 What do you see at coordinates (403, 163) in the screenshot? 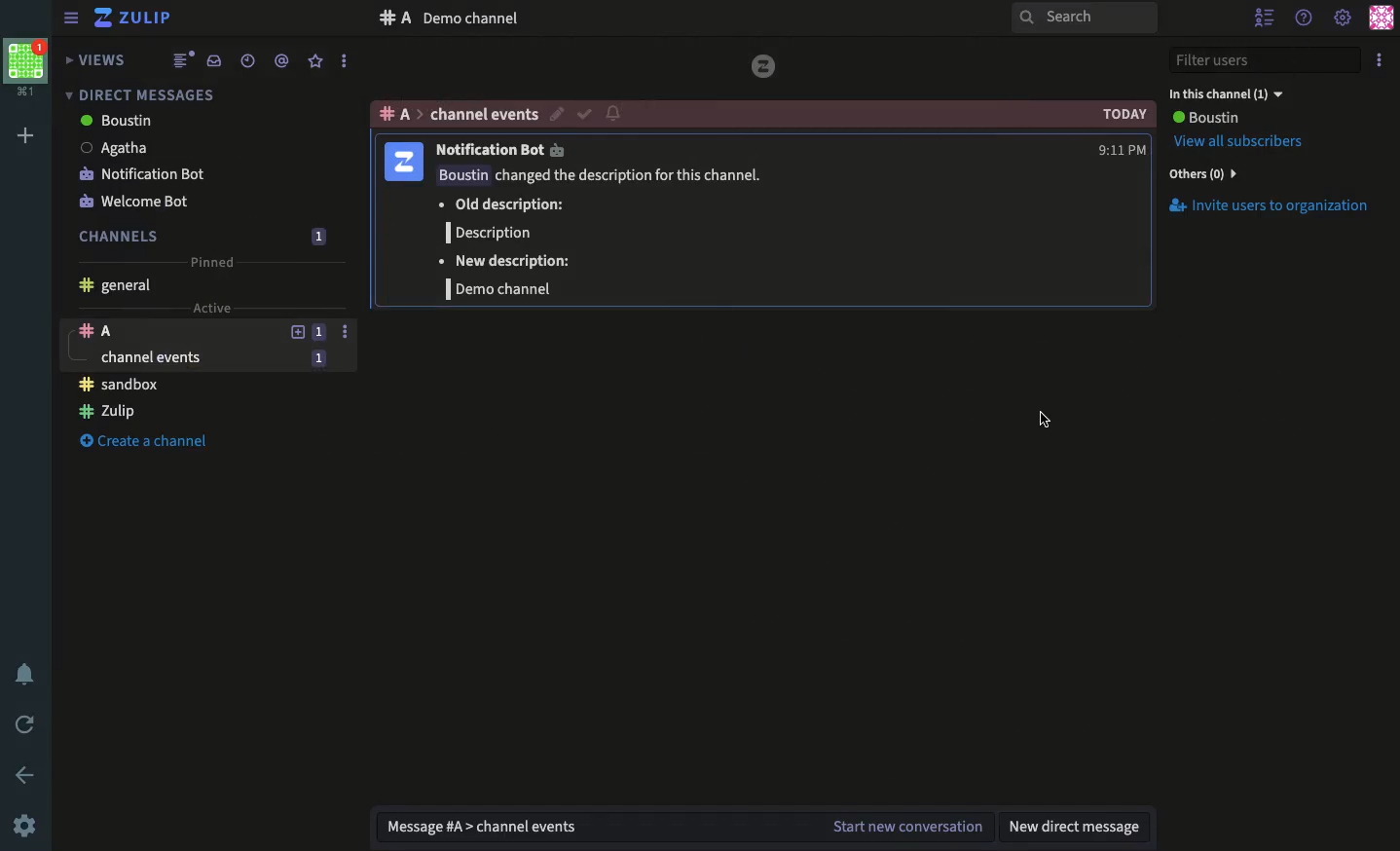
I see `display picture` at bounding box center [403, 163].